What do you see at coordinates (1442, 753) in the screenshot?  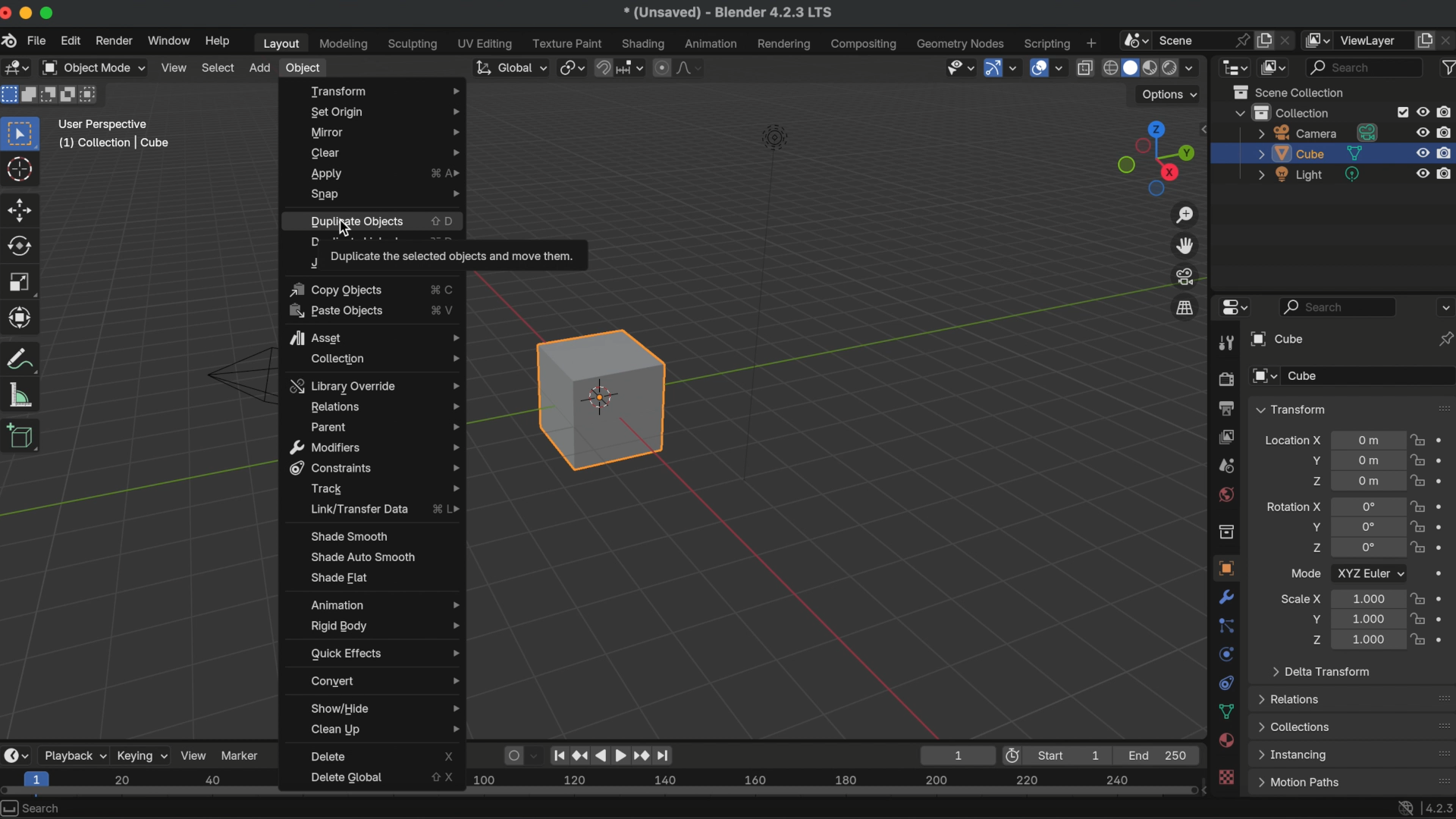 I see `drag handles` at bounding box center [1442, 753].